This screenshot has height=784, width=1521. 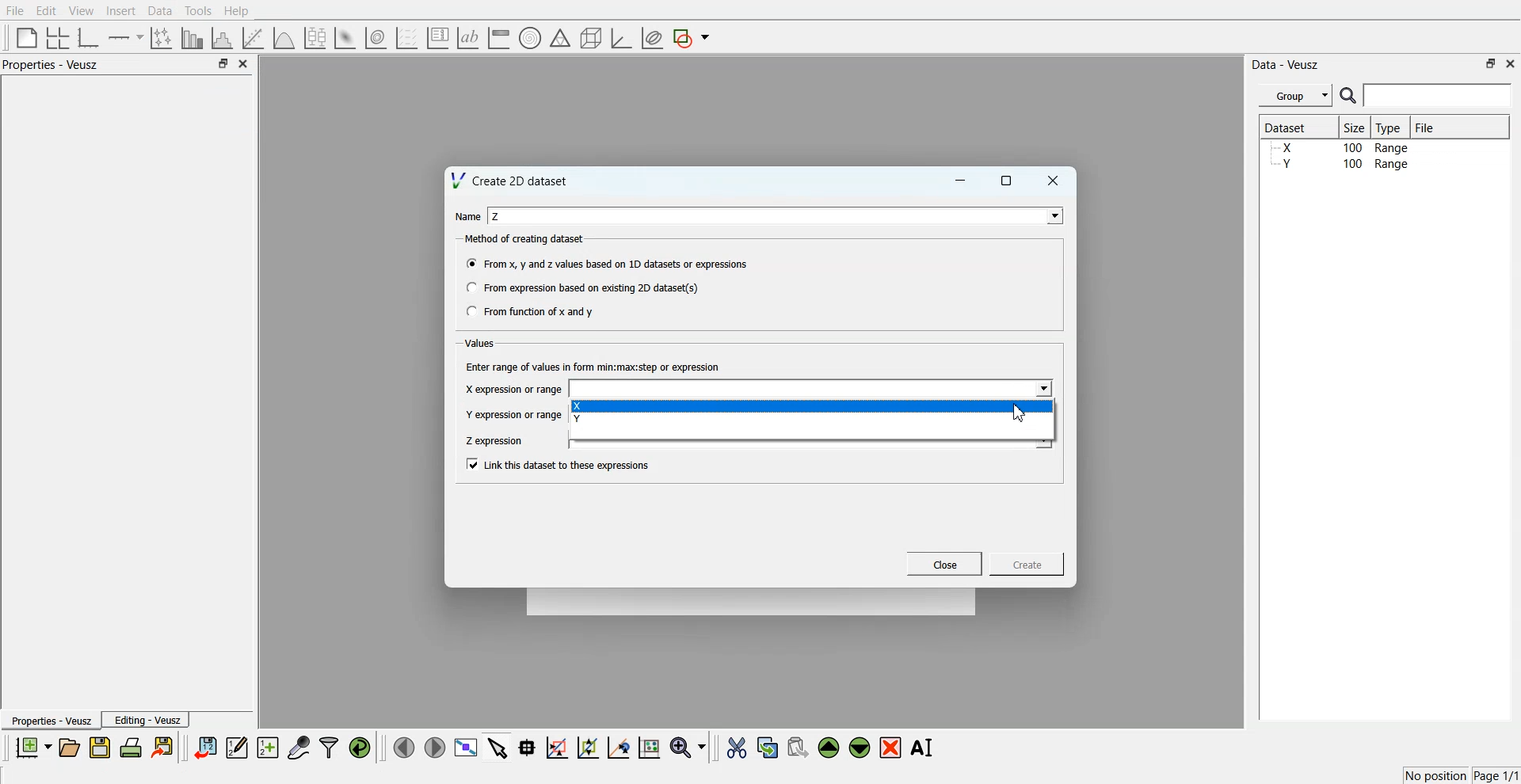 What do you see at coordinates (252, 38) in the screenshot?
I see `Fit a function of data` at bounding box center [252, 38].